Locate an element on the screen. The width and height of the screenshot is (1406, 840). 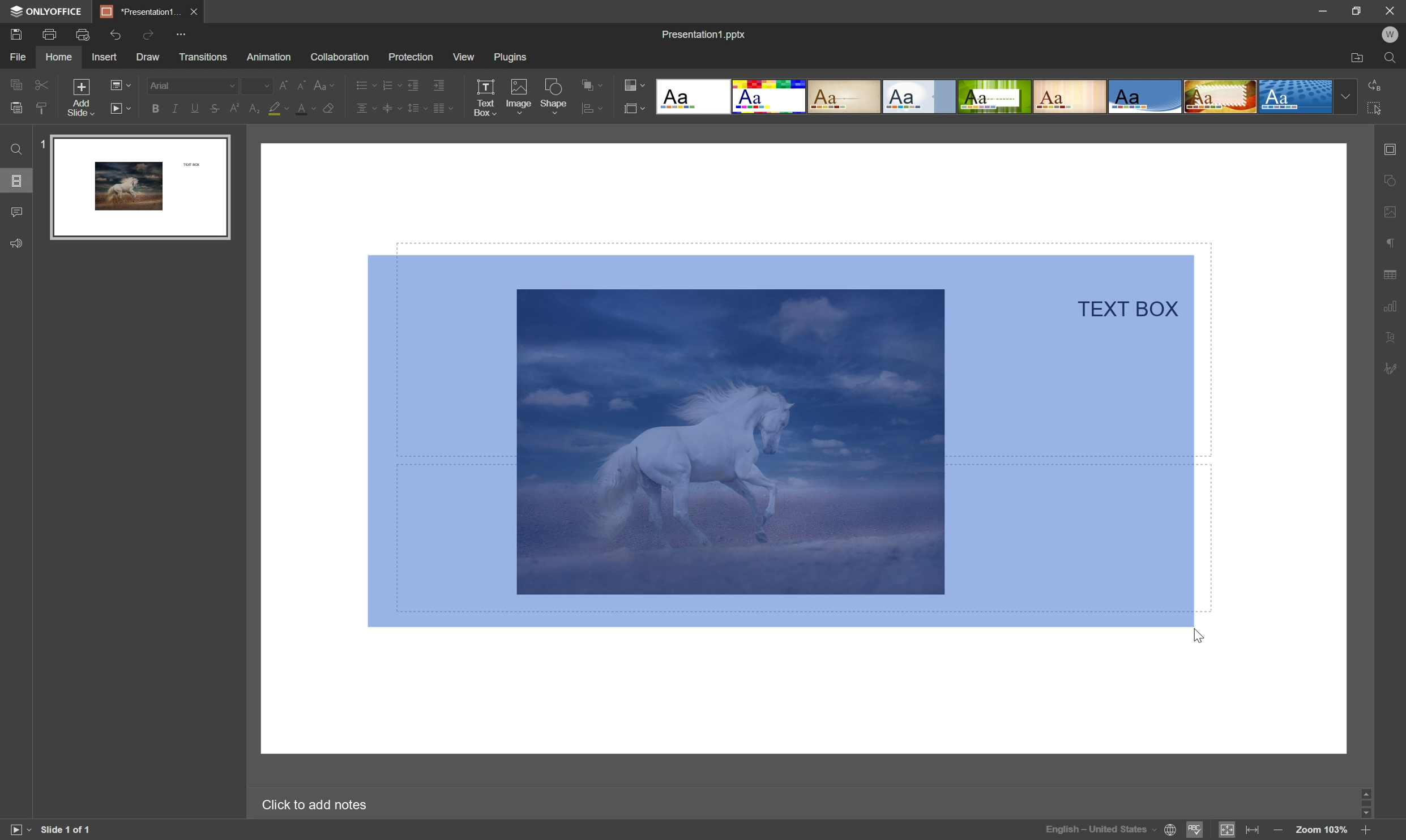
change slide layout is located at coordinates (119, 84).